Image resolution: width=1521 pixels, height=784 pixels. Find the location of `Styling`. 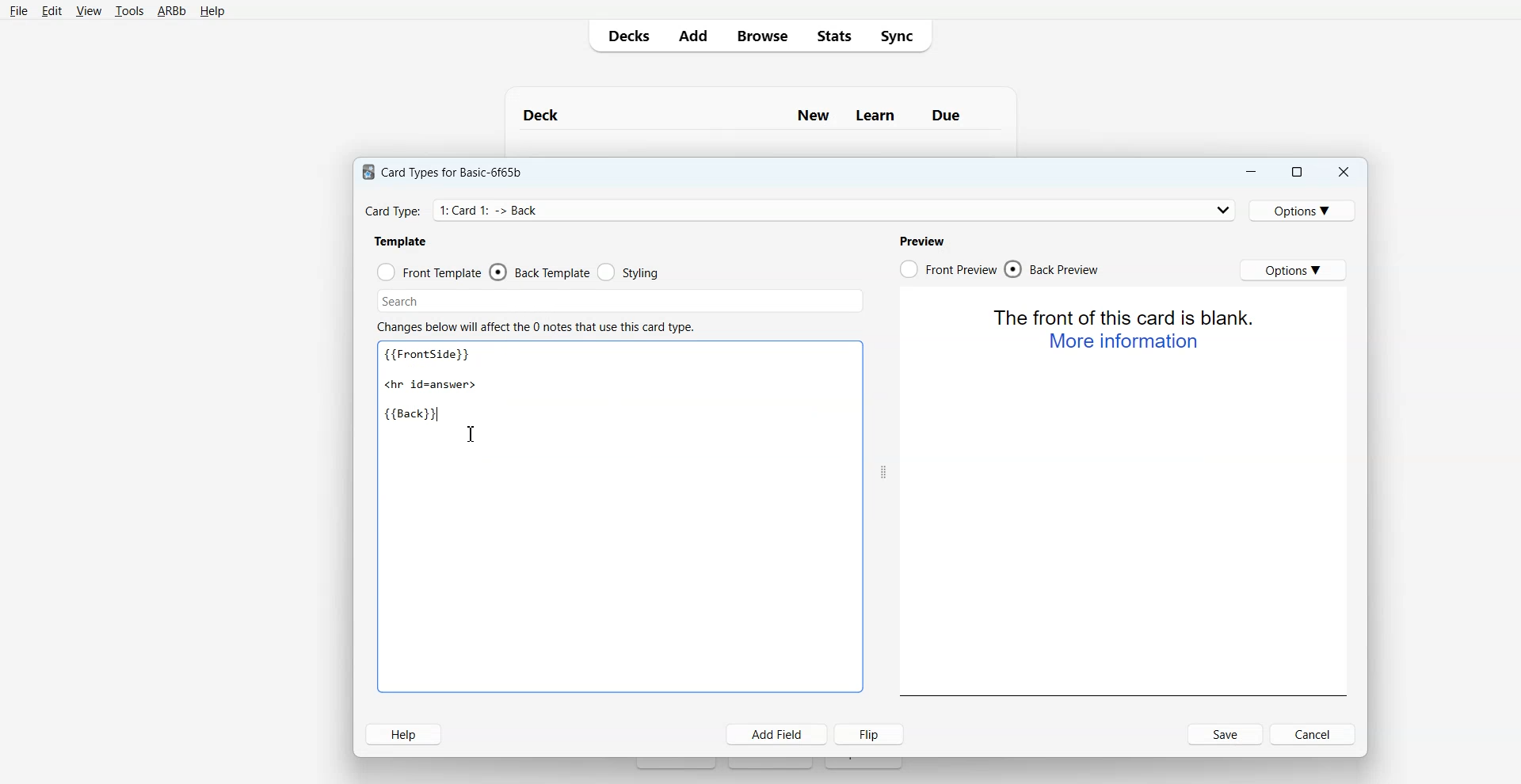

Styling is located at coordinates (628, 272).